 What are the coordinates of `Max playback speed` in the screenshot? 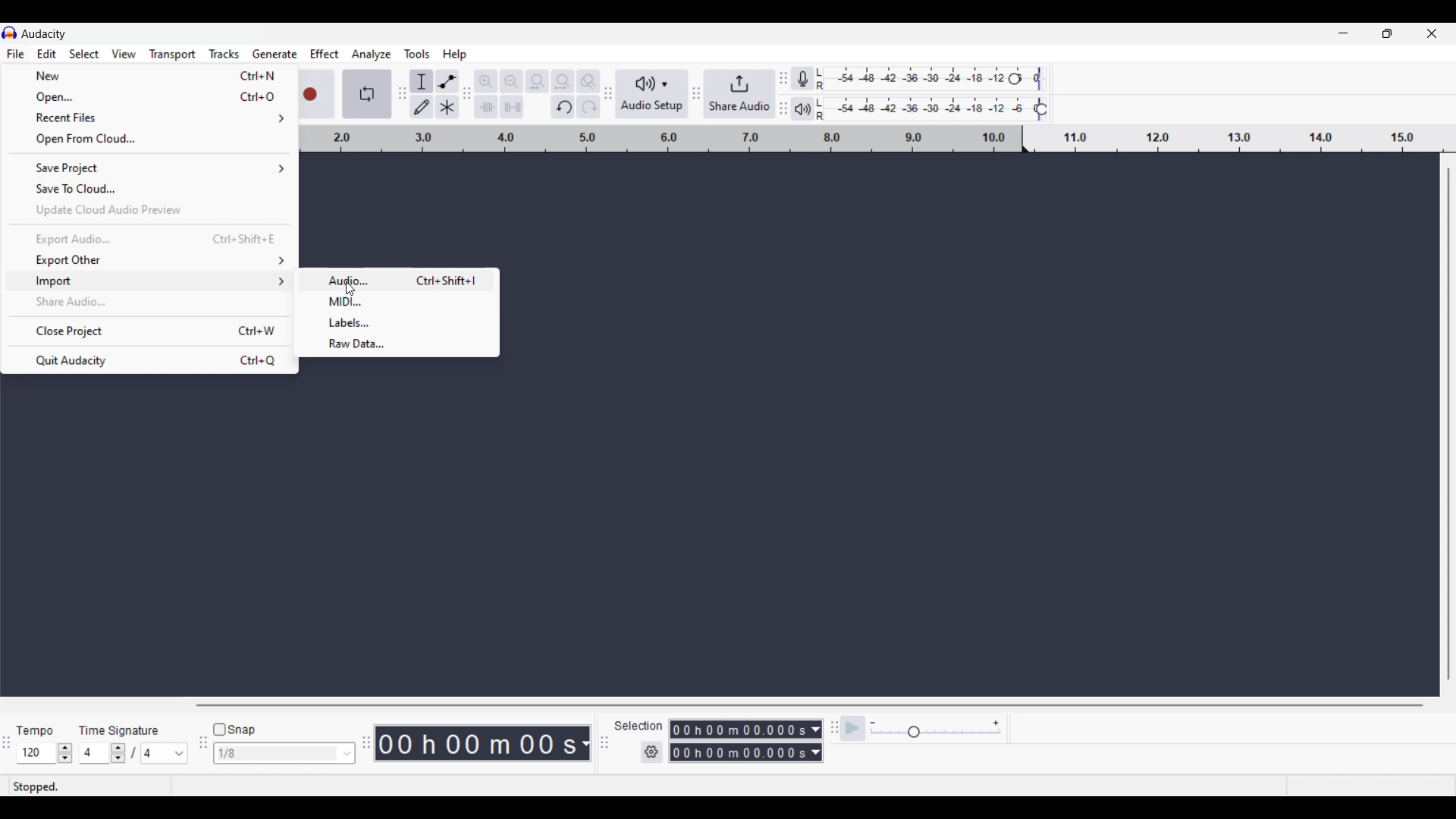 It's located at (996, 723).